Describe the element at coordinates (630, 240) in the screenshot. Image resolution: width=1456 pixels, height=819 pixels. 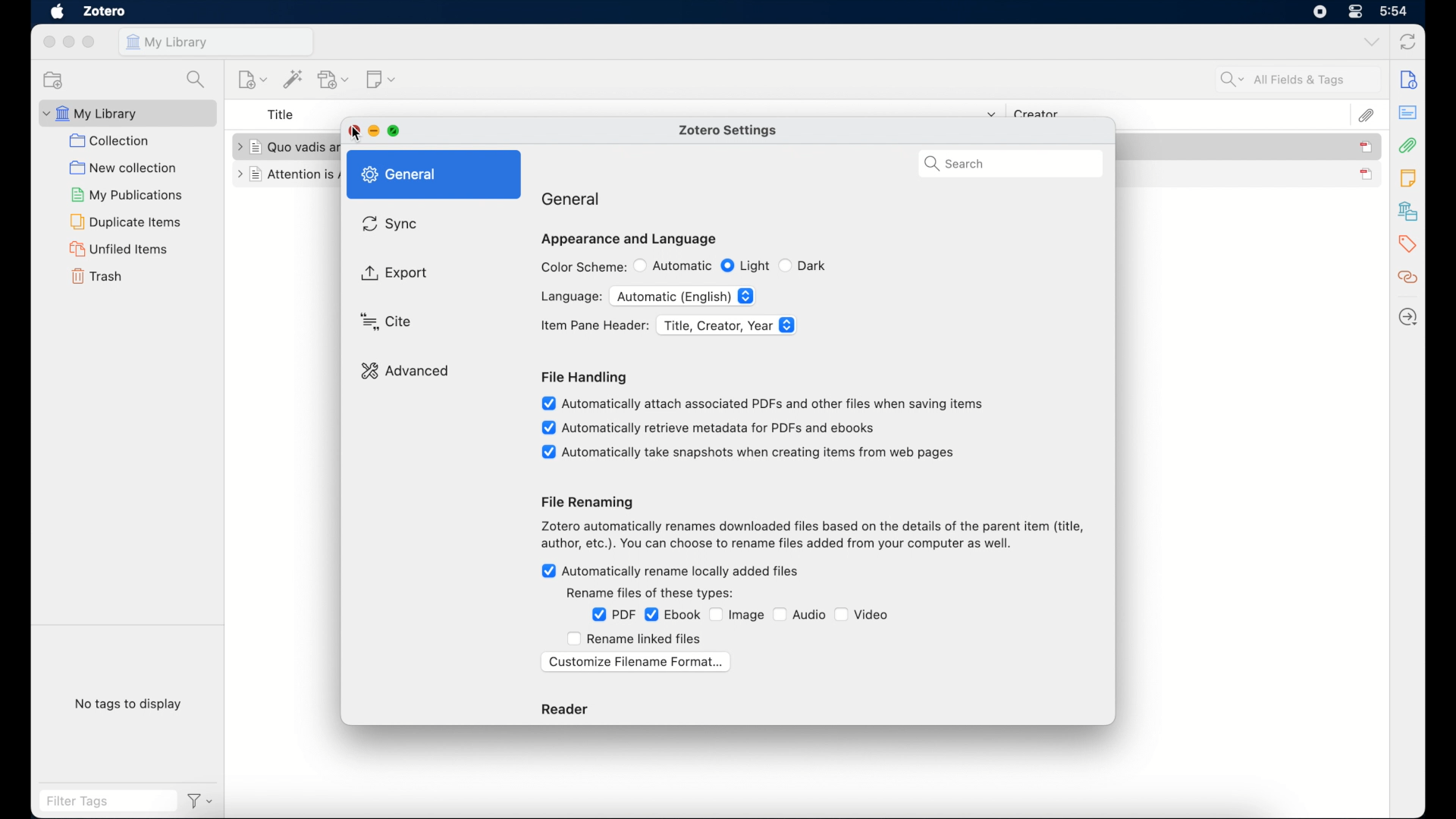
I see `appearance and language` at that location.